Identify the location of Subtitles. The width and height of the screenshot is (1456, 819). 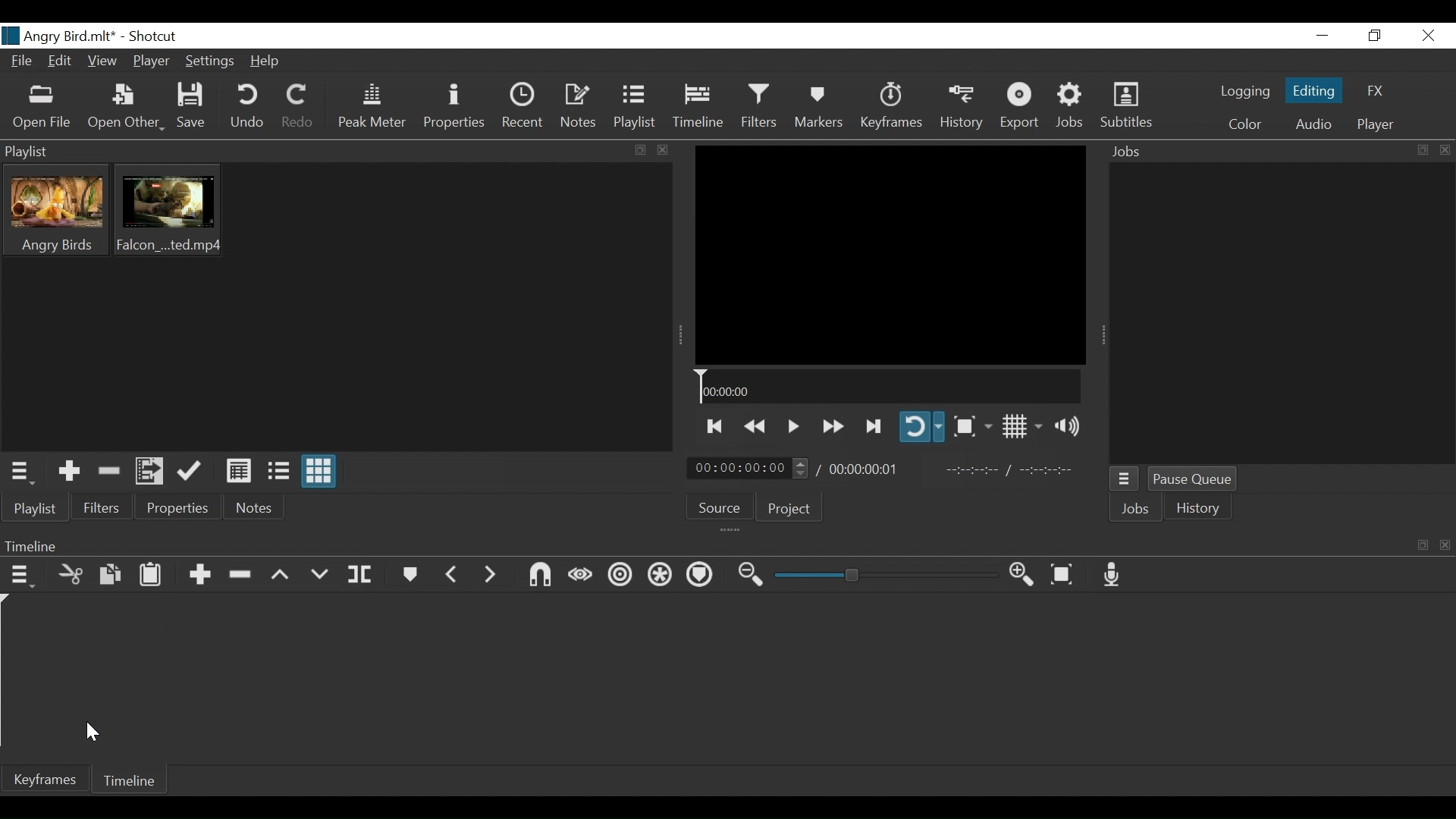
(1127, 107).